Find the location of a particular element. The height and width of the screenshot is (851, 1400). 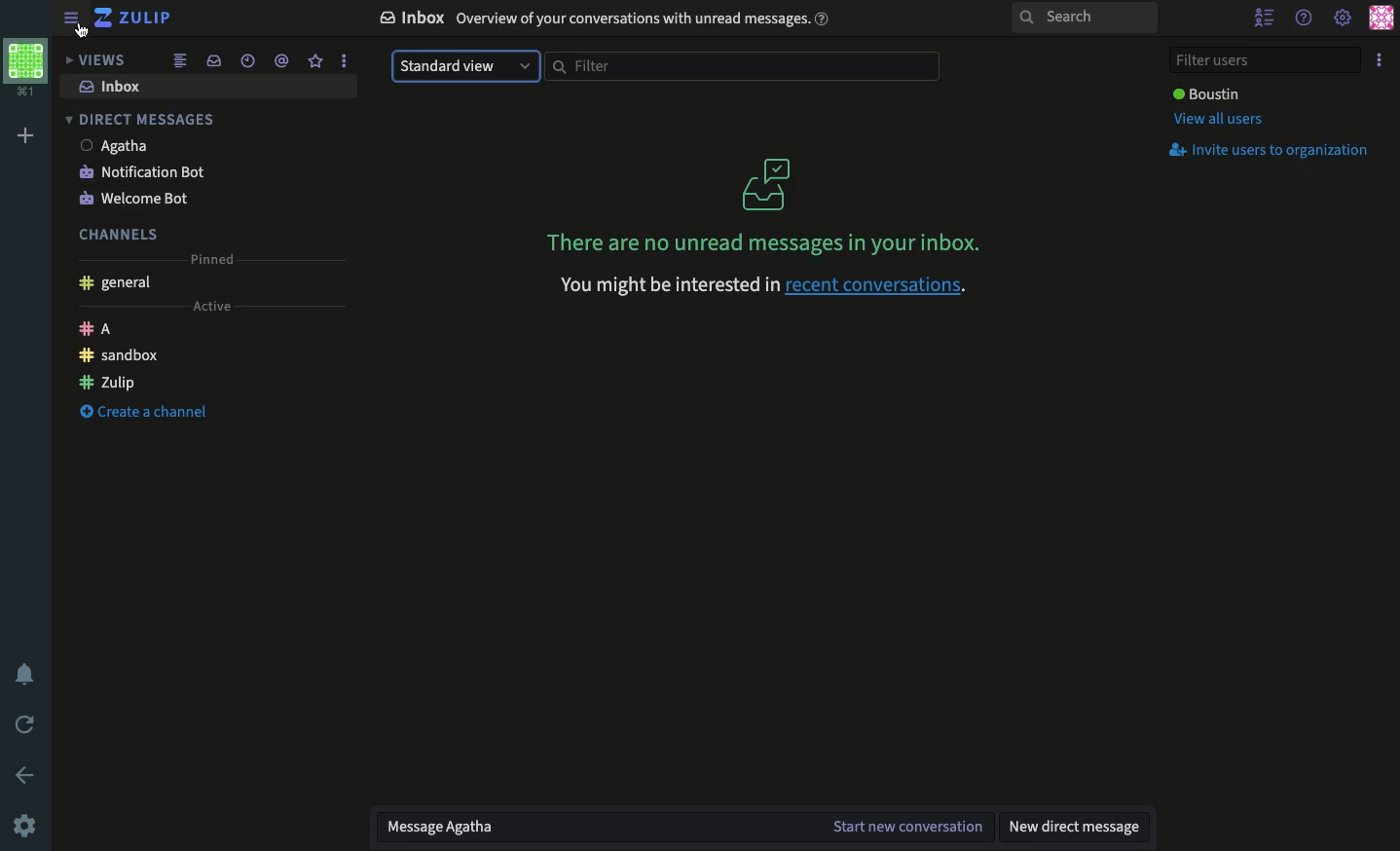

Feed is located at coordinates (184, 59).